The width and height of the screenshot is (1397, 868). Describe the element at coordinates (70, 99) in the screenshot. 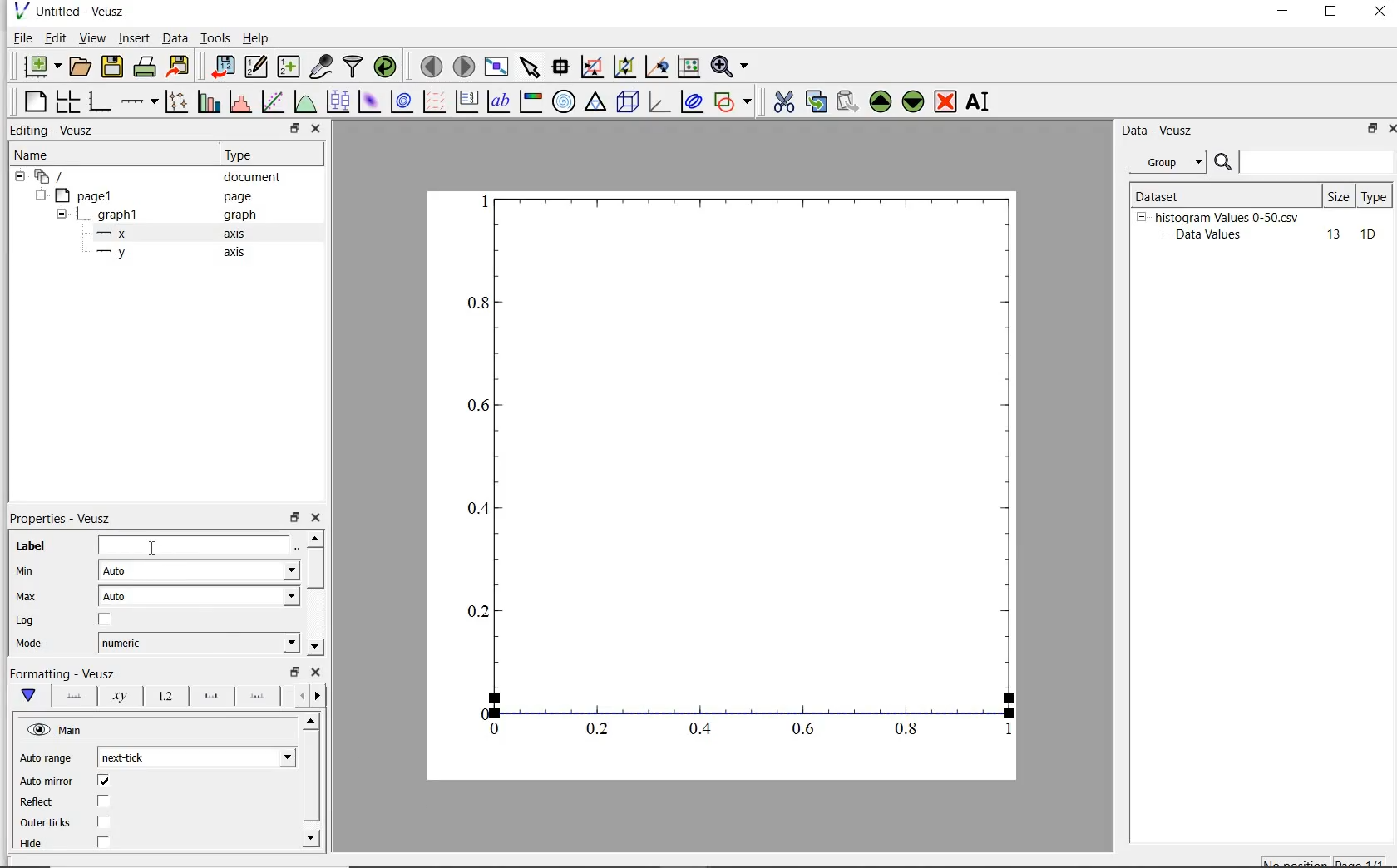

I see `arrange graphs in a grid ` at that location.